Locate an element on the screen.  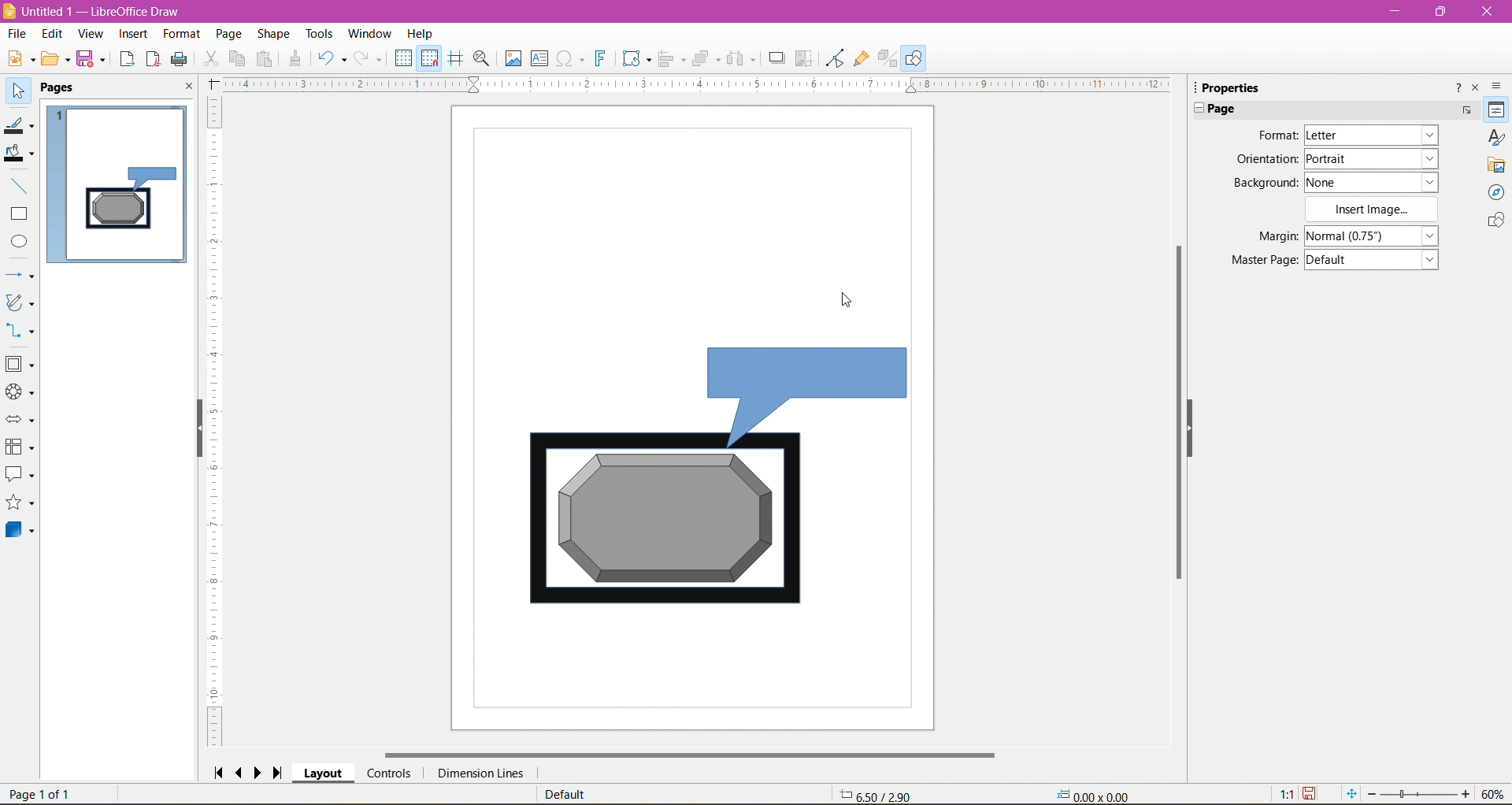
Edit is located at coordinates (52, 34).